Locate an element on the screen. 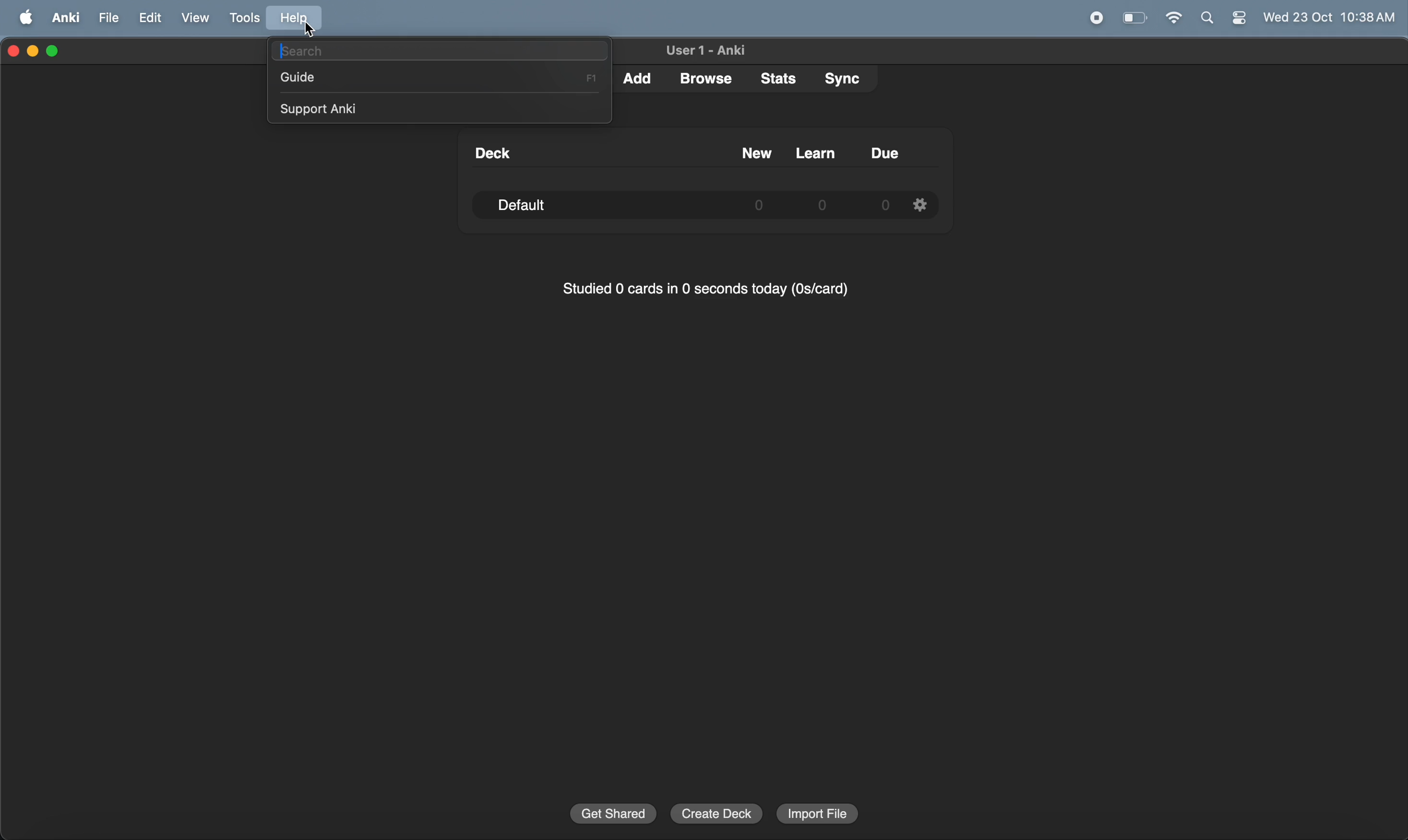 The height and width of the screenshot is (840, 1408). learn is located at coordinates (814, 152).